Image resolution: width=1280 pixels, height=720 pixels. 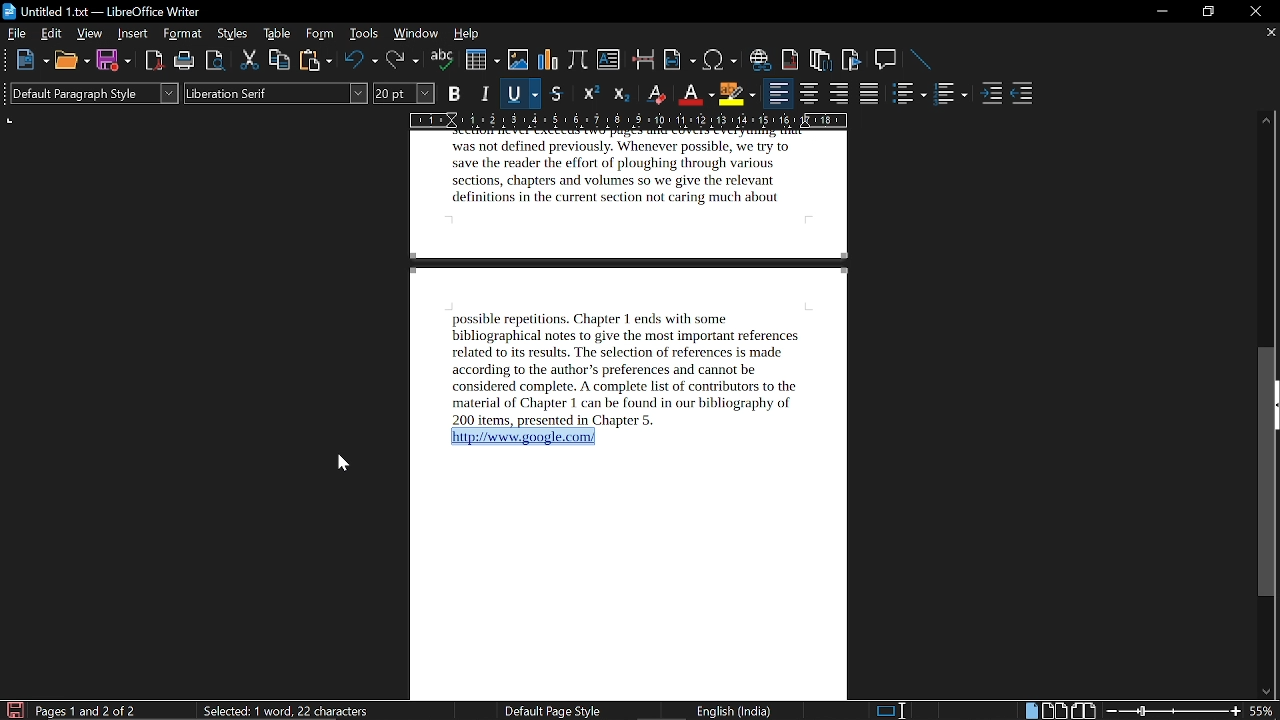 I want to click on superscript, so click(x=590, y=95).